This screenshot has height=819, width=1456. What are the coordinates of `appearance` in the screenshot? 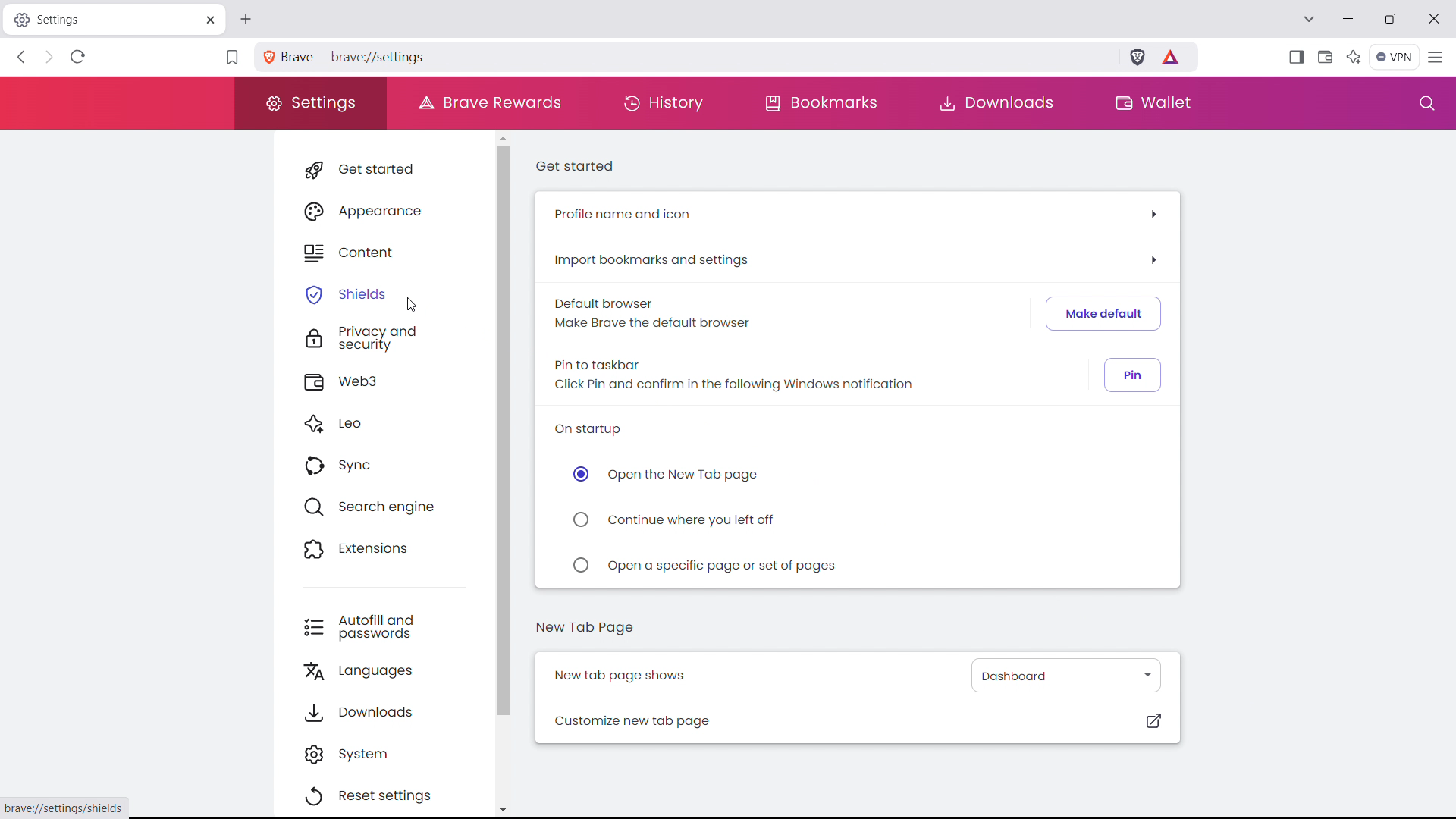 It's located at (384, 209).